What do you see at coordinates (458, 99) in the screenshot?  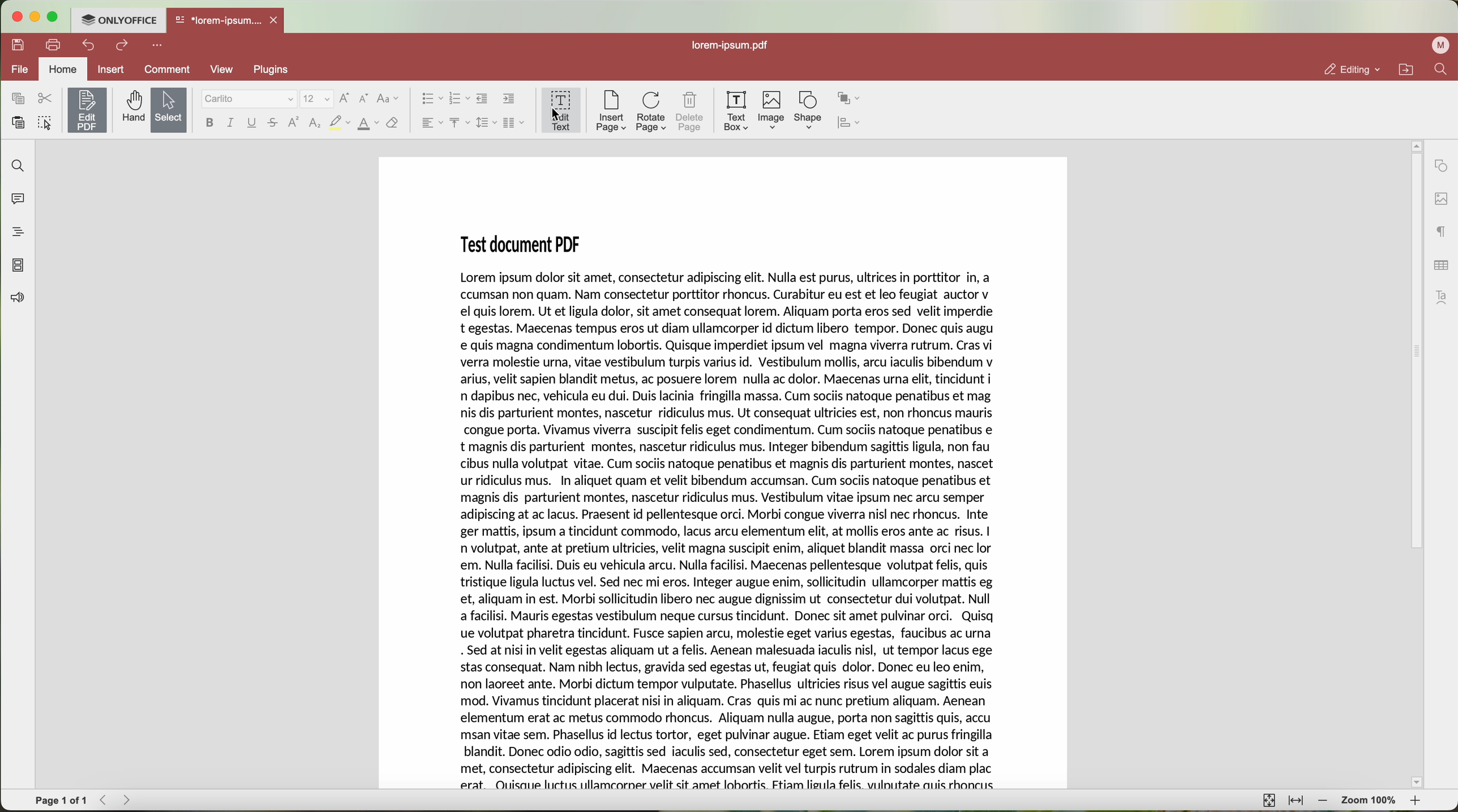 I see `numbered list` at bounding box center [458, 99].